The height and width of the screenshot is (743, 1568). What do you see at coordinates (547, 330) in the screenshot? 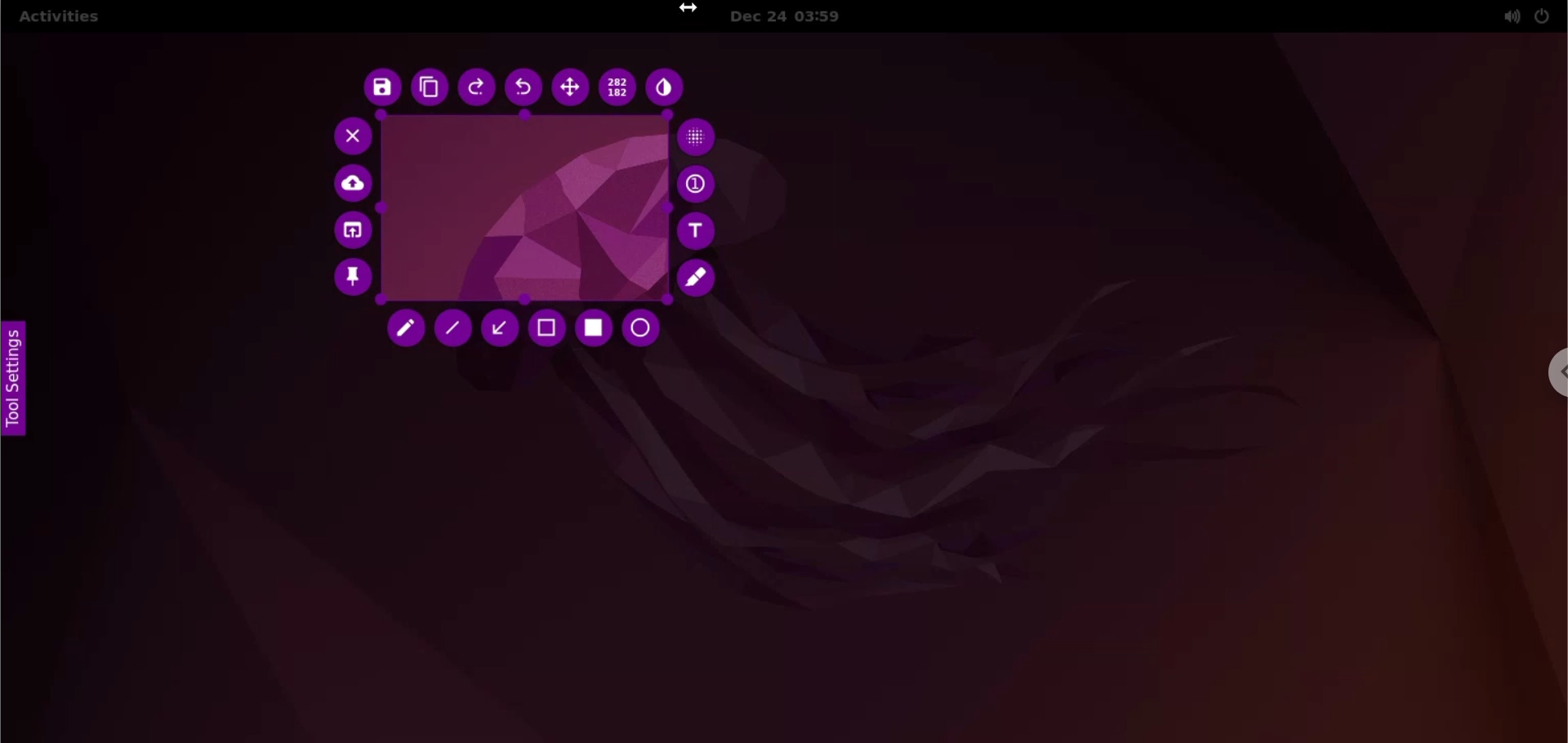
I see `select ` at bounding box center [547, 330].